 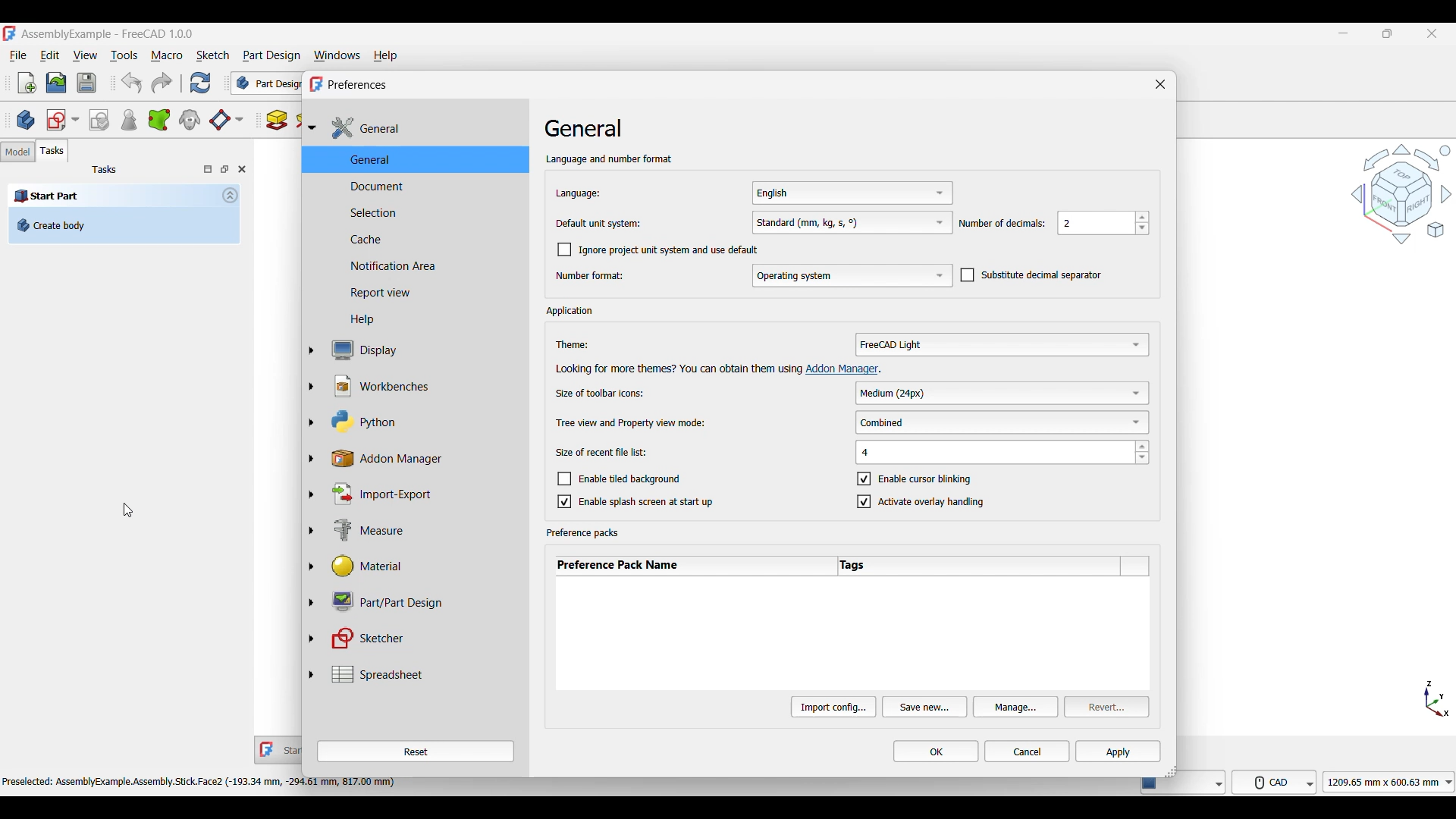 I want to click on Create a datum plane, so click(x=227, y=121).